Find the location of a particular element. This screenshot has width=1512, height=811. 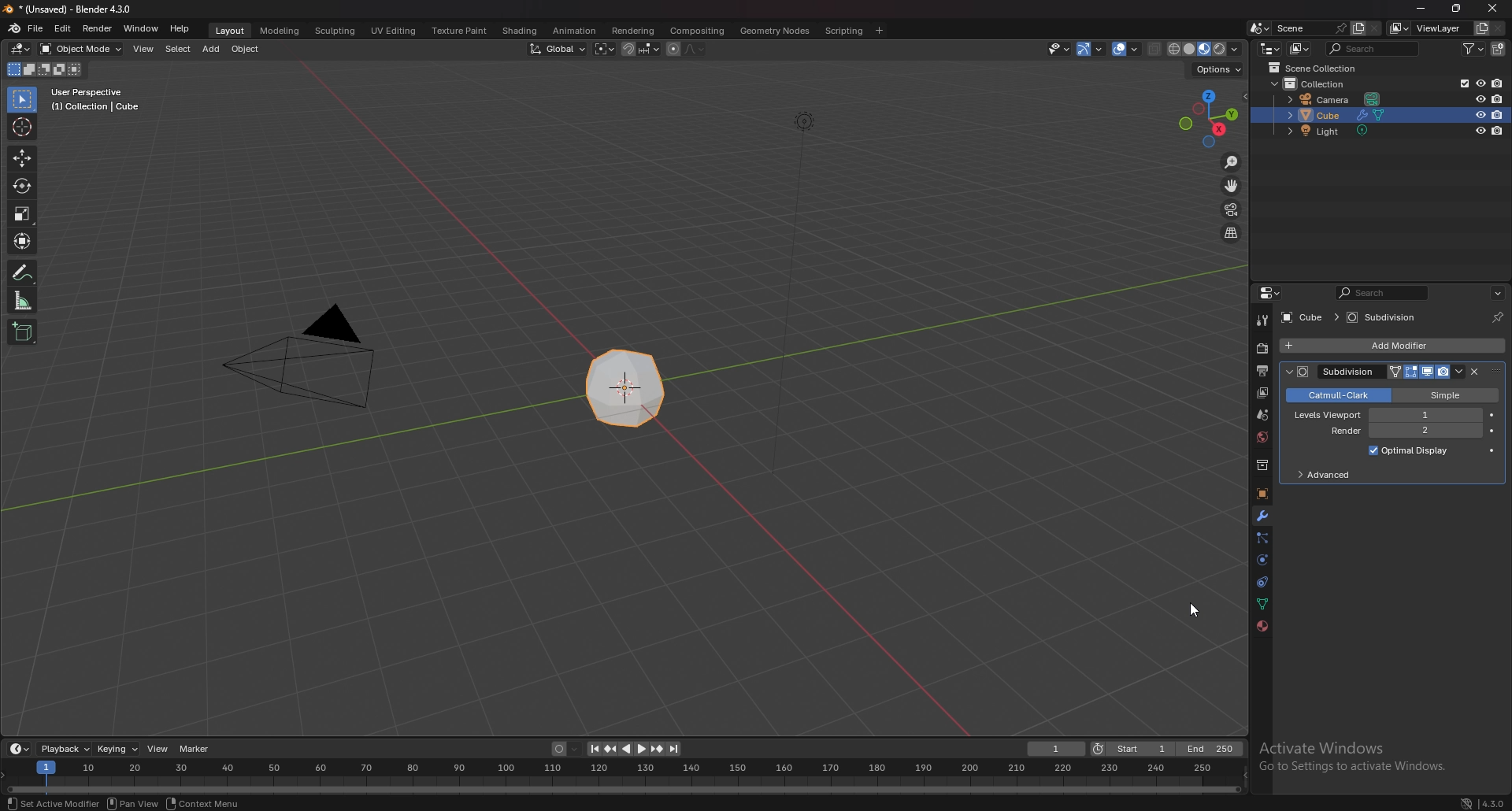

display mode is located at coordinates (1299, 48).